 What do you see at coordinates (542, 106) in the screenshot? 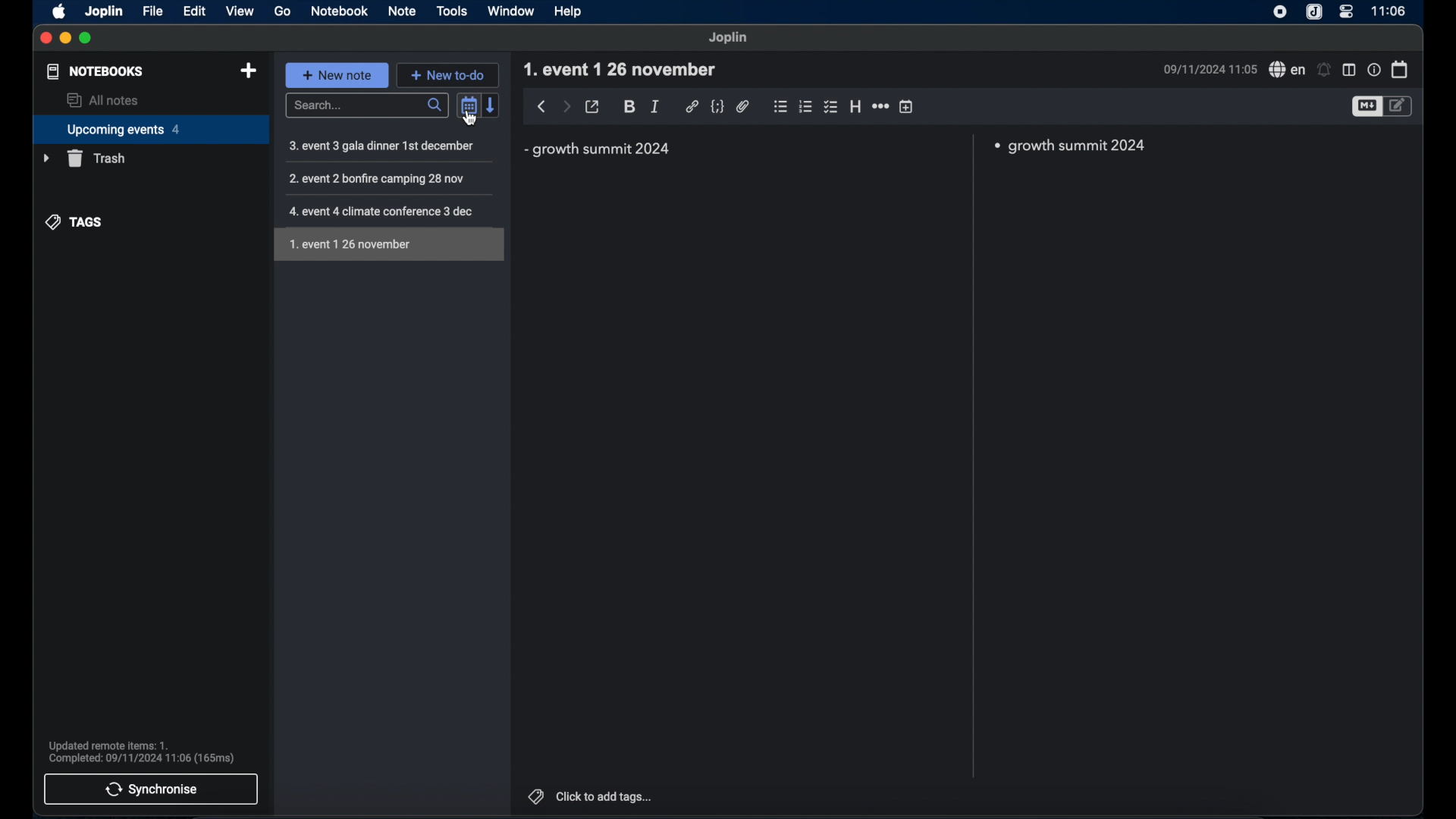
I see `back` at bounding box center [542, 106].